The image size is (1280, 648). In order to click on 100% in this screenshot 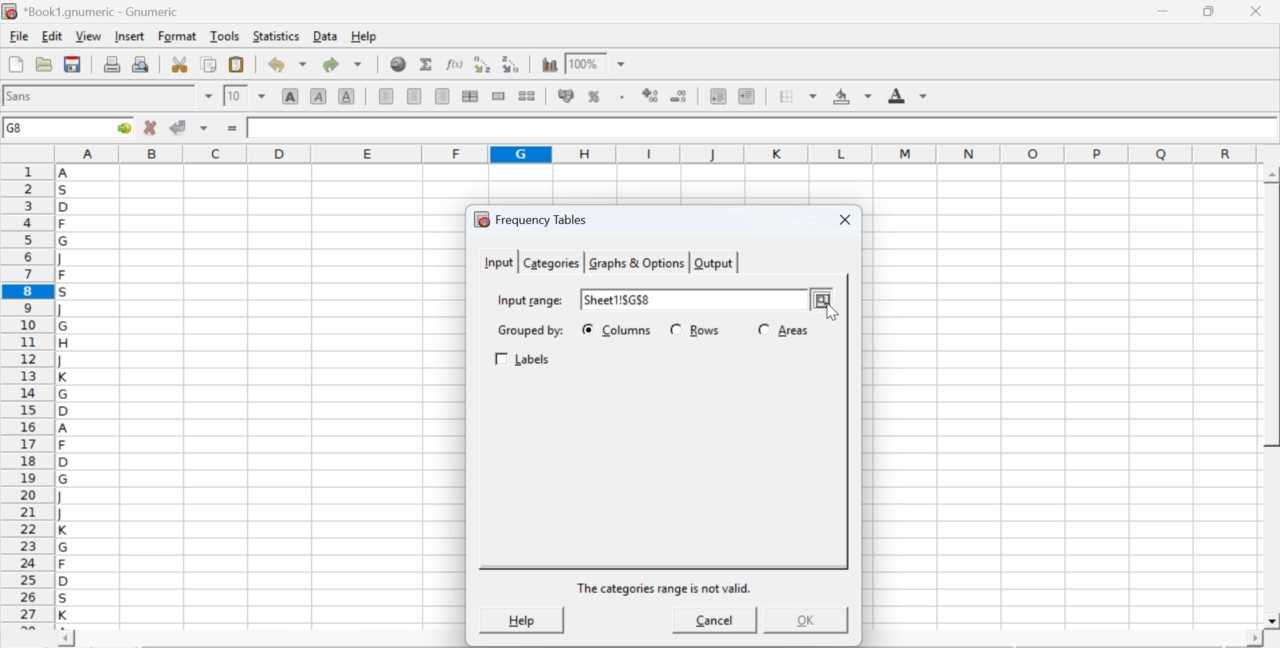, I will do `click(583, 63)`.